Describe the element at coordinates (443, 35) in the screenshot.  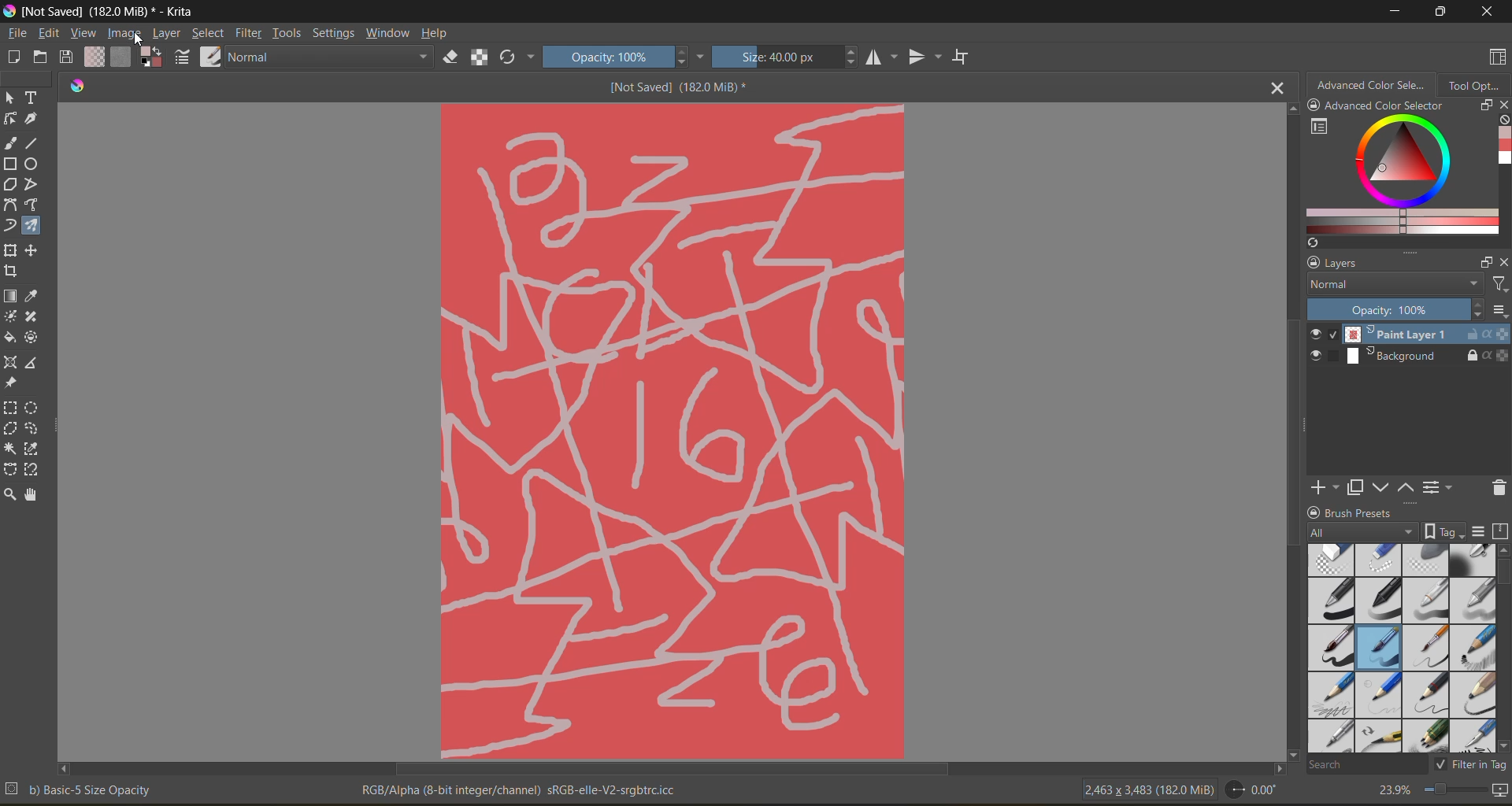
I see `help` at that location.